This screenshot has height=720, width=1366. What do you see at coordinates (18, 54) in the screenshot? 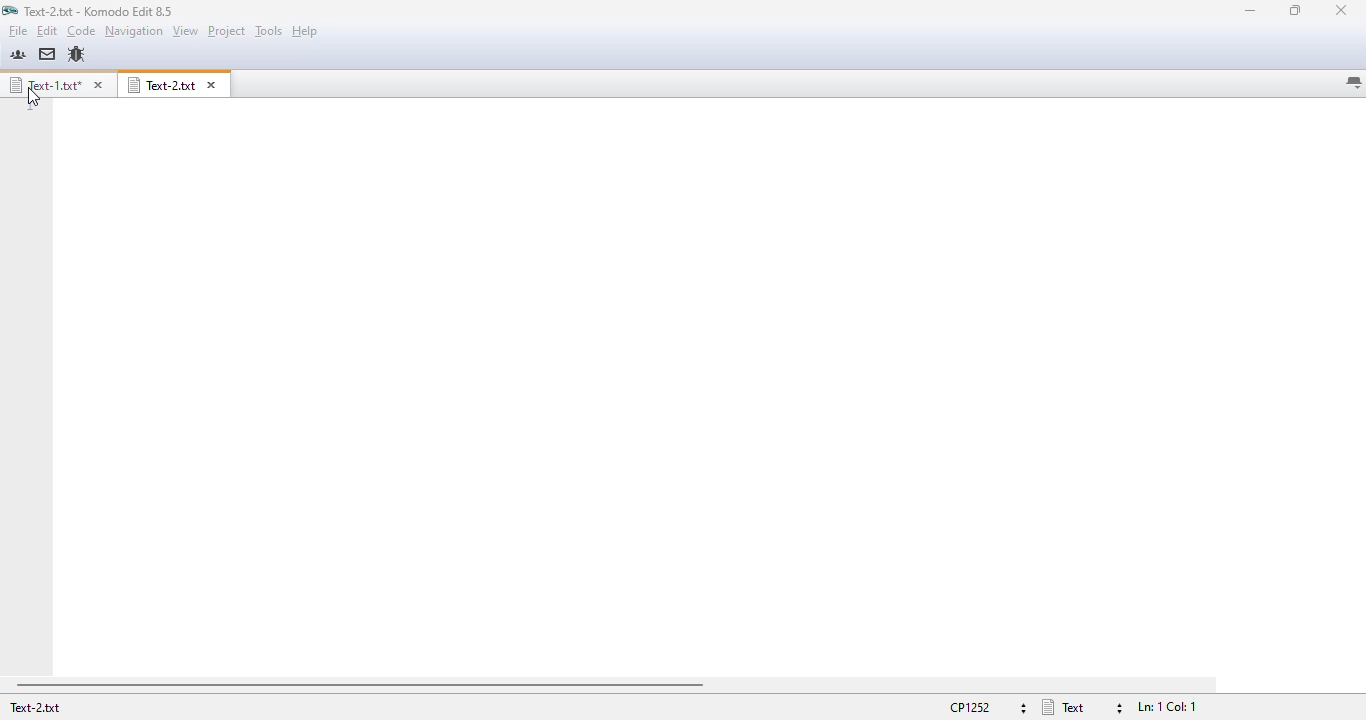
I see `komodo community` at bounding box center [18, 54].